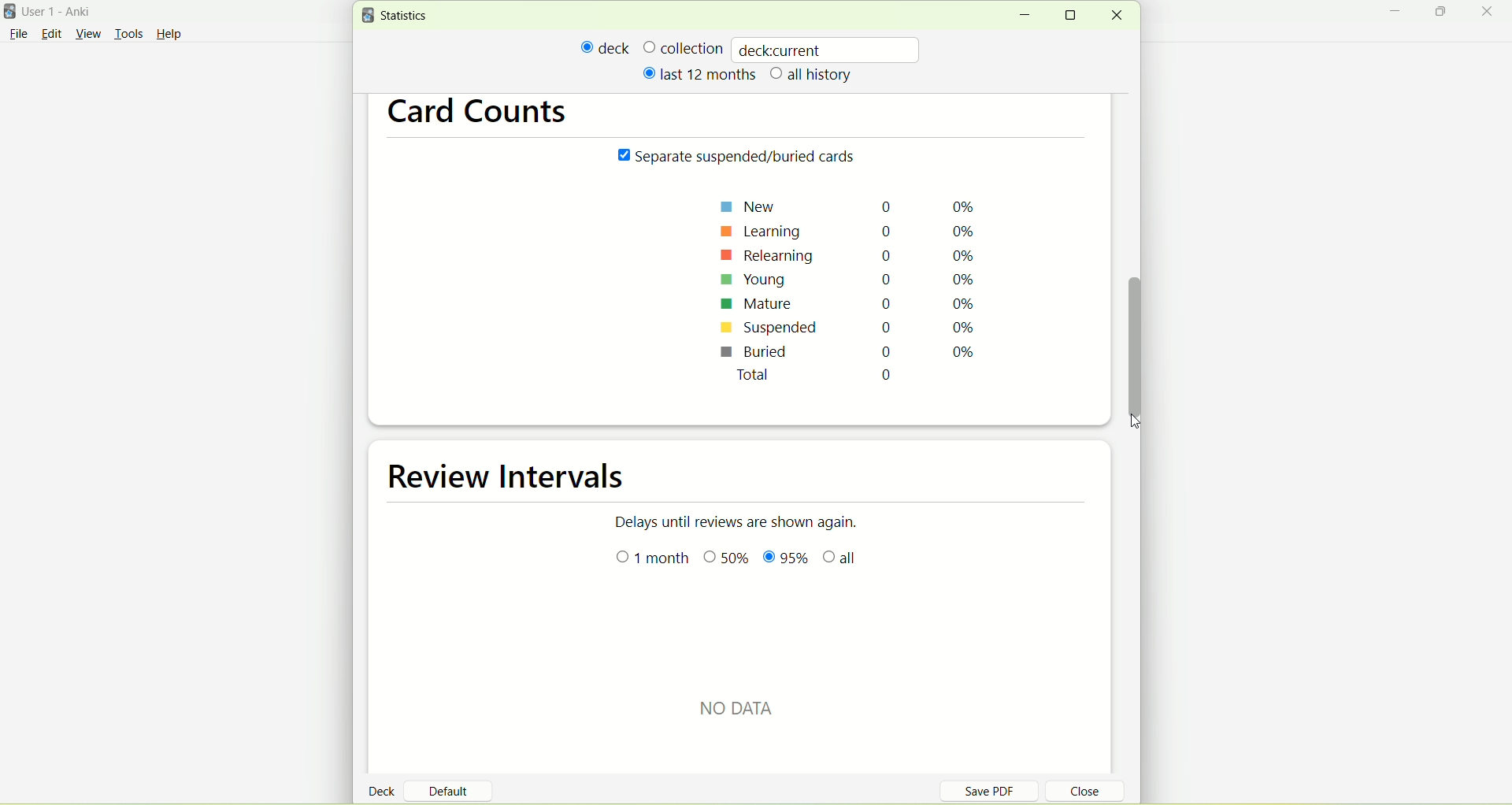 The width and height of the screenshot is (1512, 805). I want to click on minimize, so click(1399, 13).